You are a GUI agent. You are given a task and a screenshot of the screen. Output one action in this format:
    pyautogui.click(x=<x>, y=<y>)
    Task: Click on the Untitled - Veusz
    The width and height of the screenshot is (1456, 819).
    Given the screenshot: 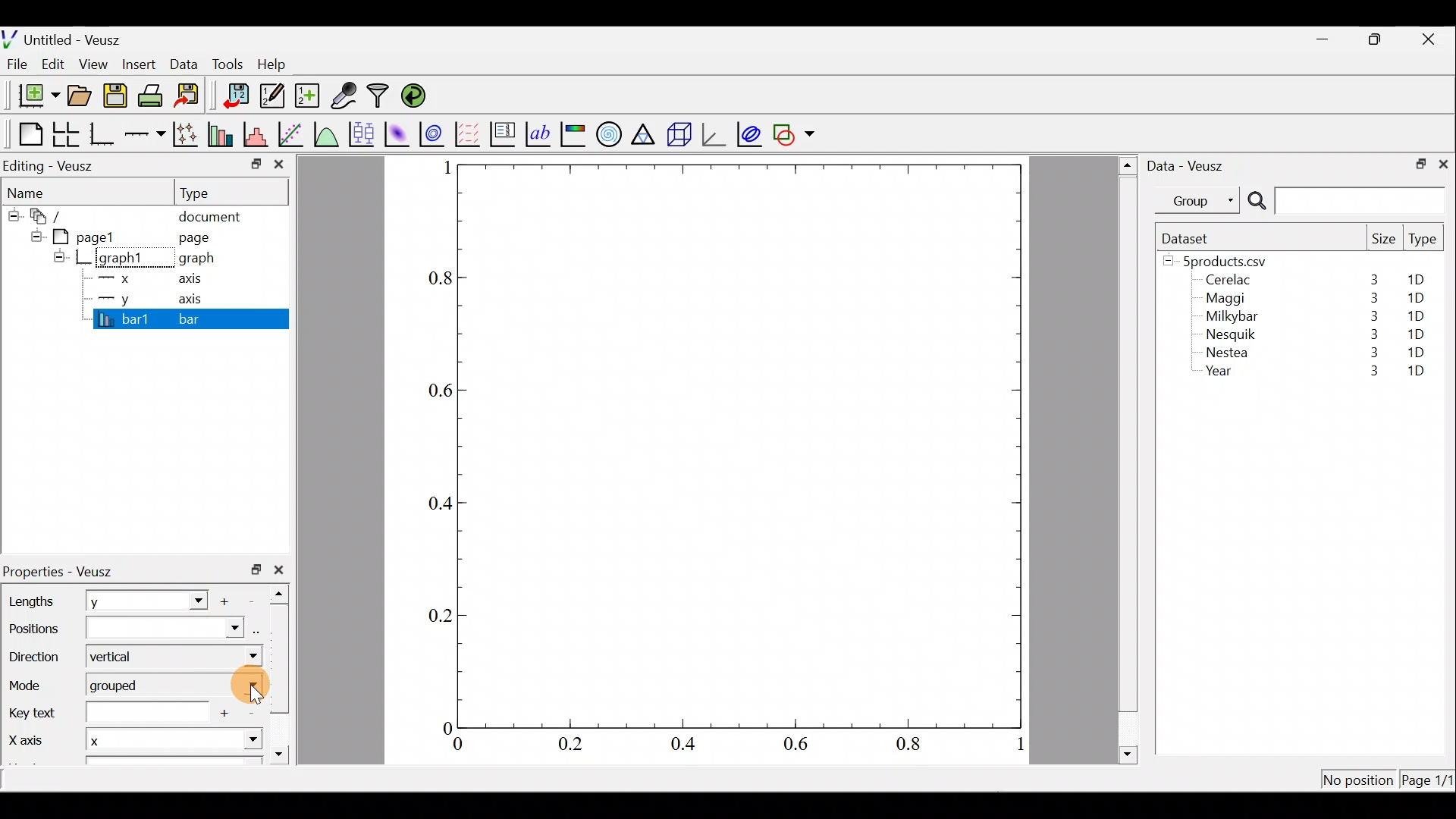 What is the action you would take?
    pyautogui.click(x=67, y=37)
    